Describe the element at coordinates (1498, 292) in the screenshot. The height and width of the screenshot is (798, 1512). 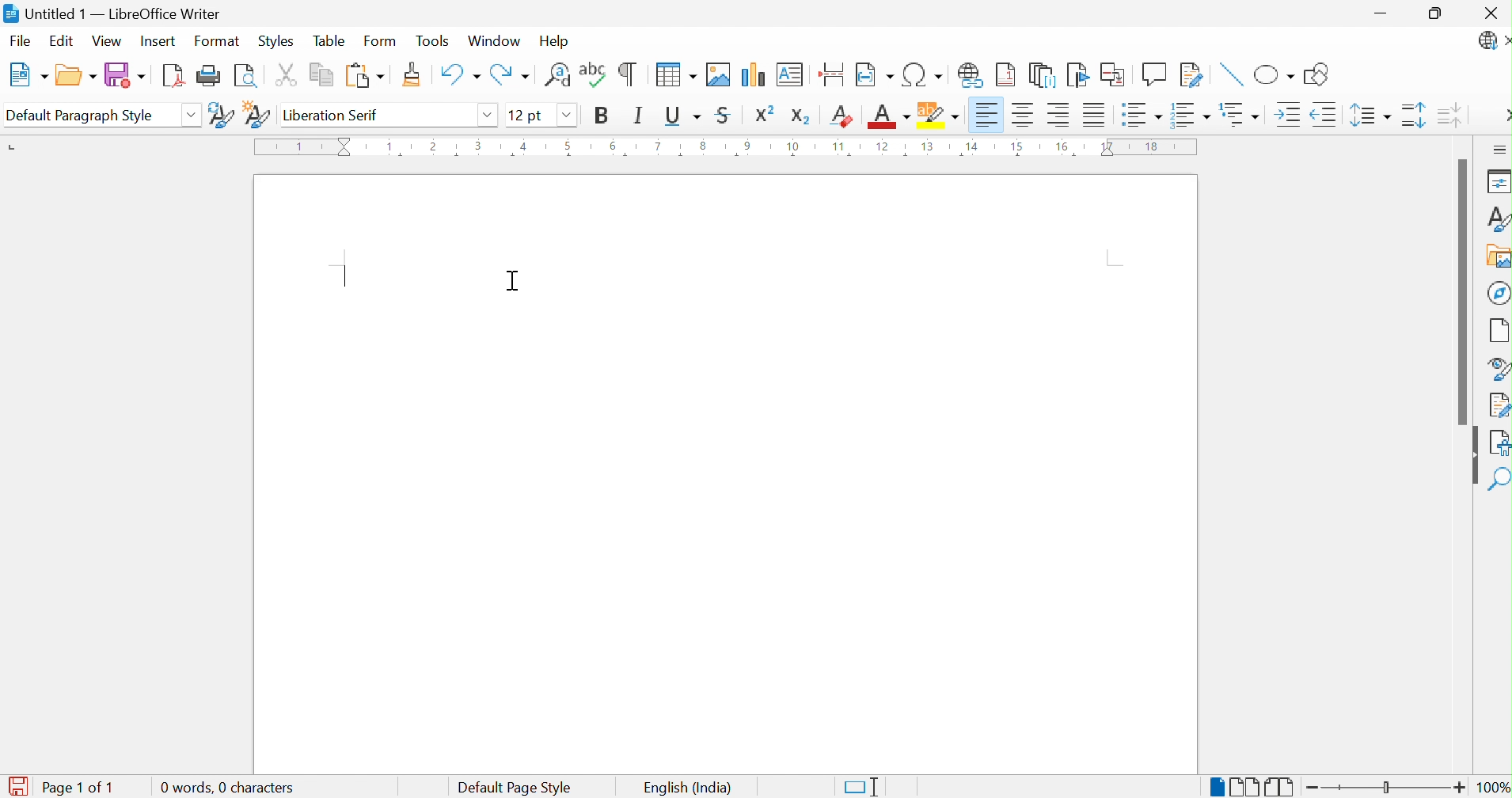
I see `Navigator` at that location.